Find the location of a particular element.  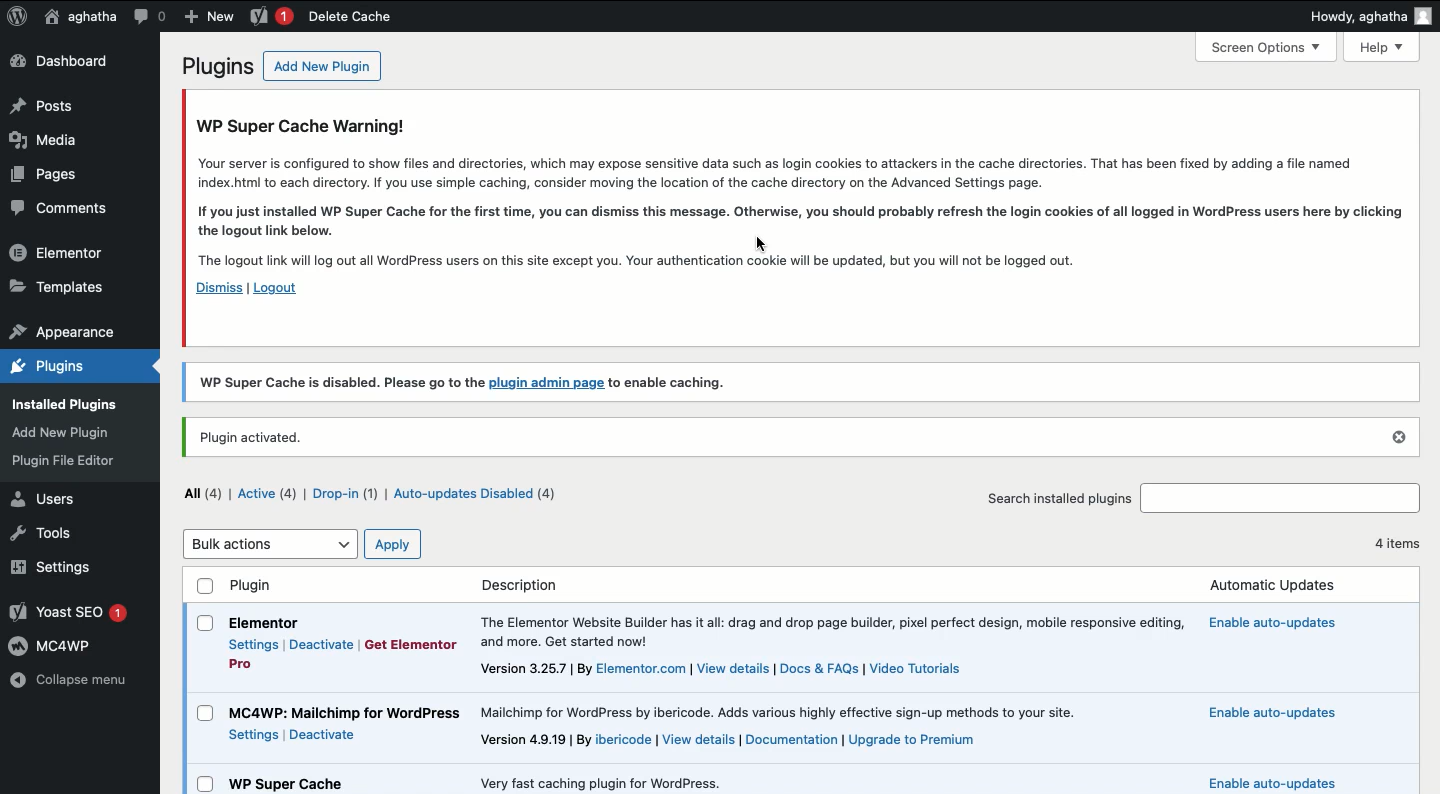

plugins is located at coordinates (68, 364).